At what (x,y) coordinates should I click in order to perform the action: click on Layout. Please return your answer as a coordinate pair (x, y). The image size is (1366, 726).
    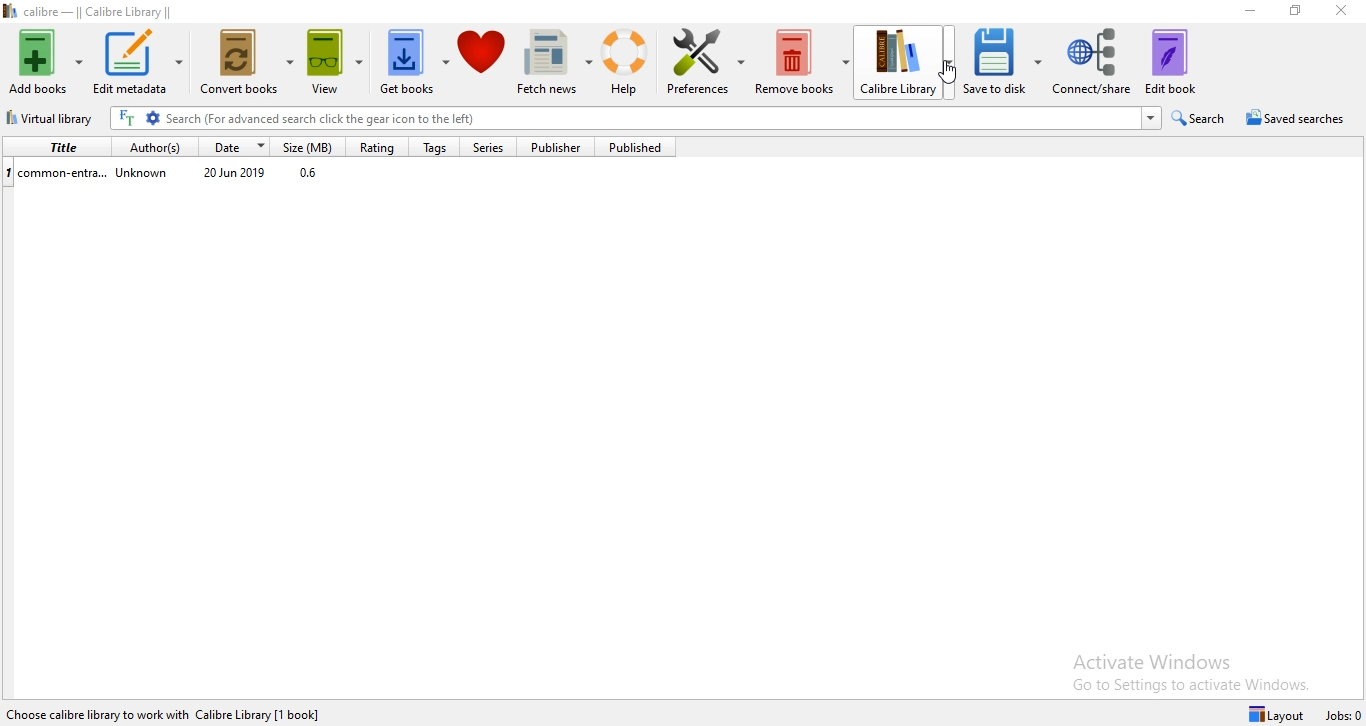
    Looking at the image, I should click on (1280, 713).